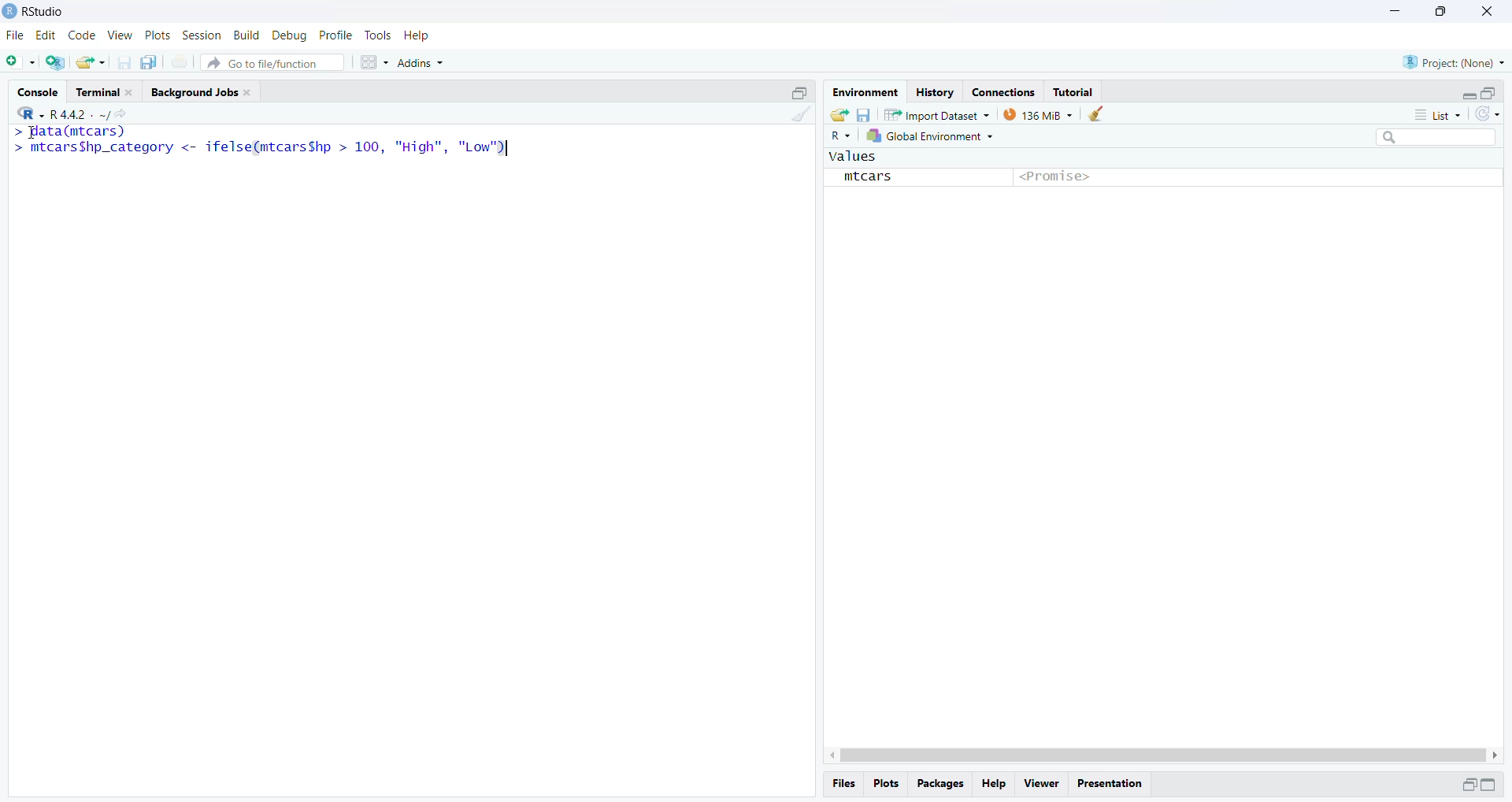 Image resolution: width=1512 pixels, height=802 pixels. I want to click on Save all open documents (Ctrl + Alt + S), so click(154, 62).